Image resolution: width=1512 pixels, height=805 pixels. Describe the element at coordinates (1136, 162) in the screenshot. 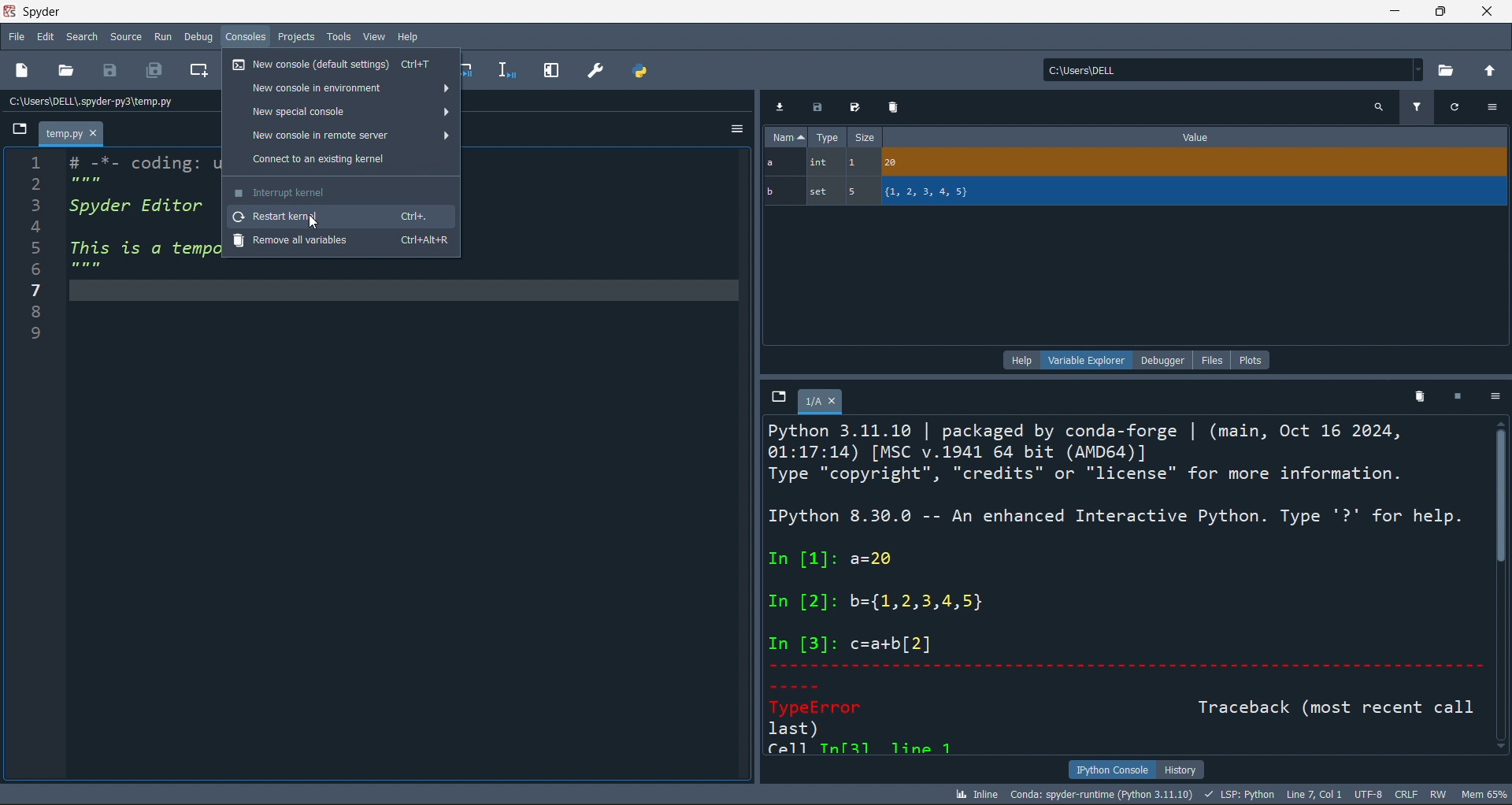

I see `a, int, 1, 20` at that location.